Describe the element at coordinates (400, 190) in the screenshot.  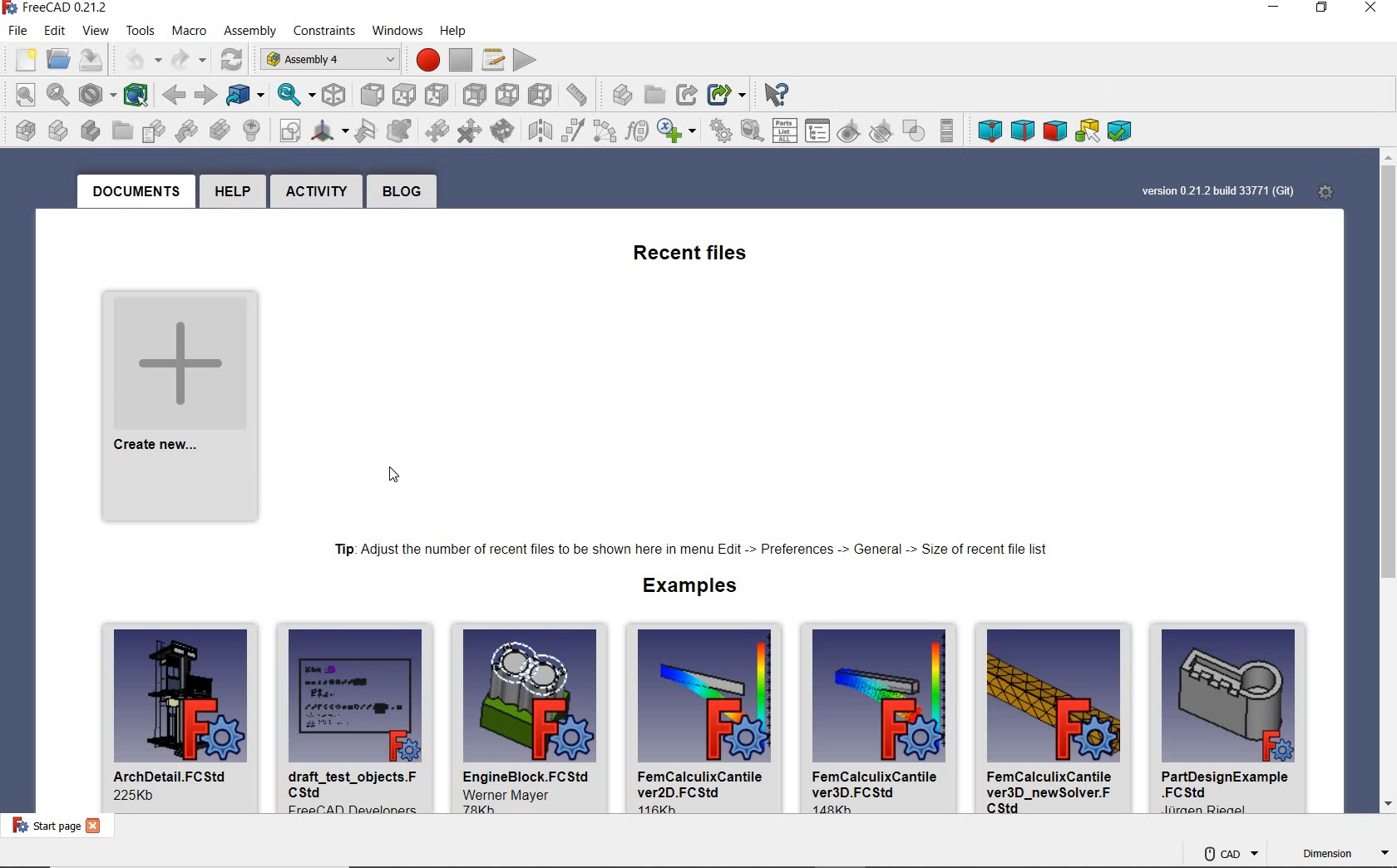
I see `blog` at that location.